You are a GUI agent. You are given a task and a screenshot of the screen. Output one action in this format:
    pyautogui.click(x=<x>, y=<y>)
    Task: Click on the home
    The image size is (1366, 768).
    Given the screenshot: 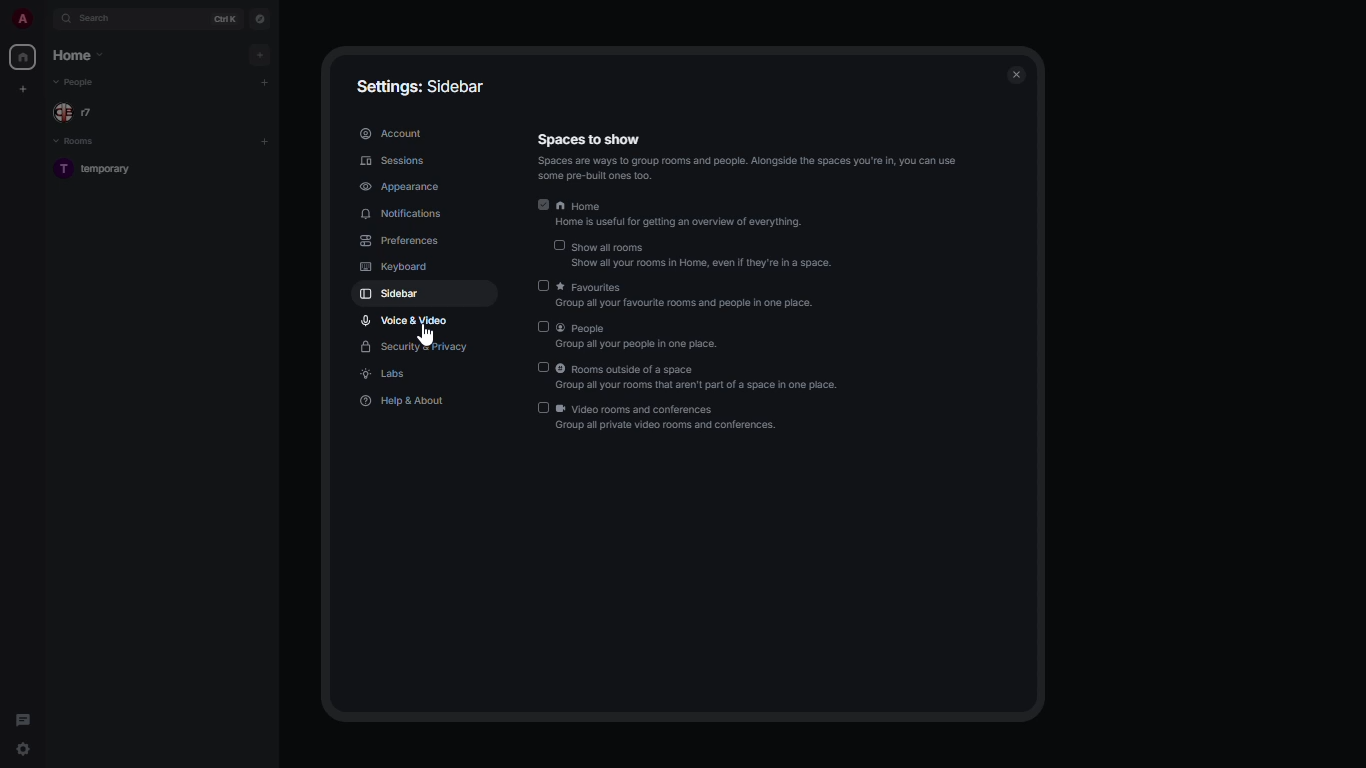 What is the action you would take?
    pyautogui.click(x=79, y=55)
    